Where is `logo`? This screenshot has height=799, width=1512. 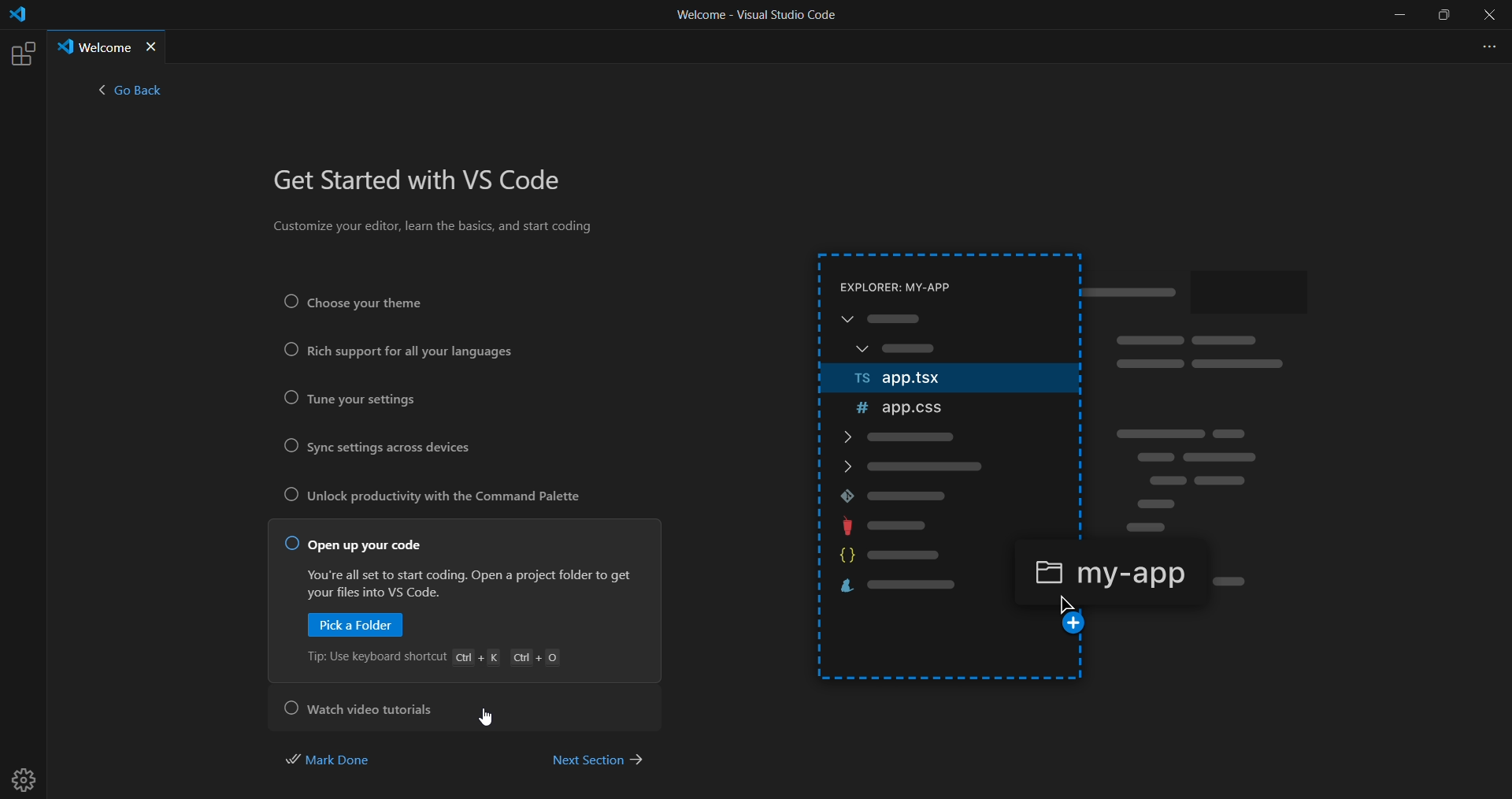
logo is located at coordinates (17, 17).